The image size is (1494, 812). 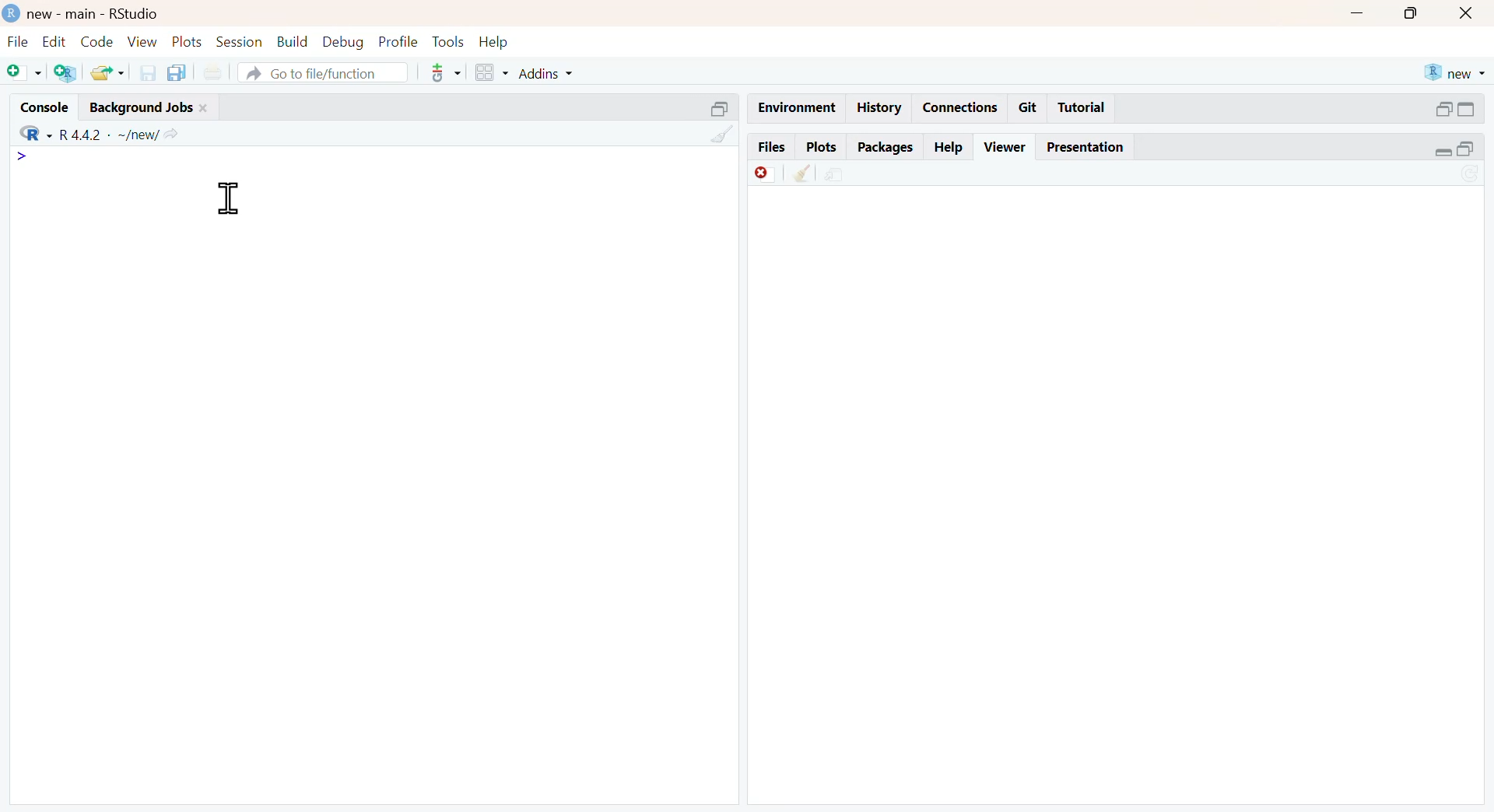 What do you see at coordinates (1357, 14) in the screenshot?
I see `minimise` at bounding box center [1357, 14].